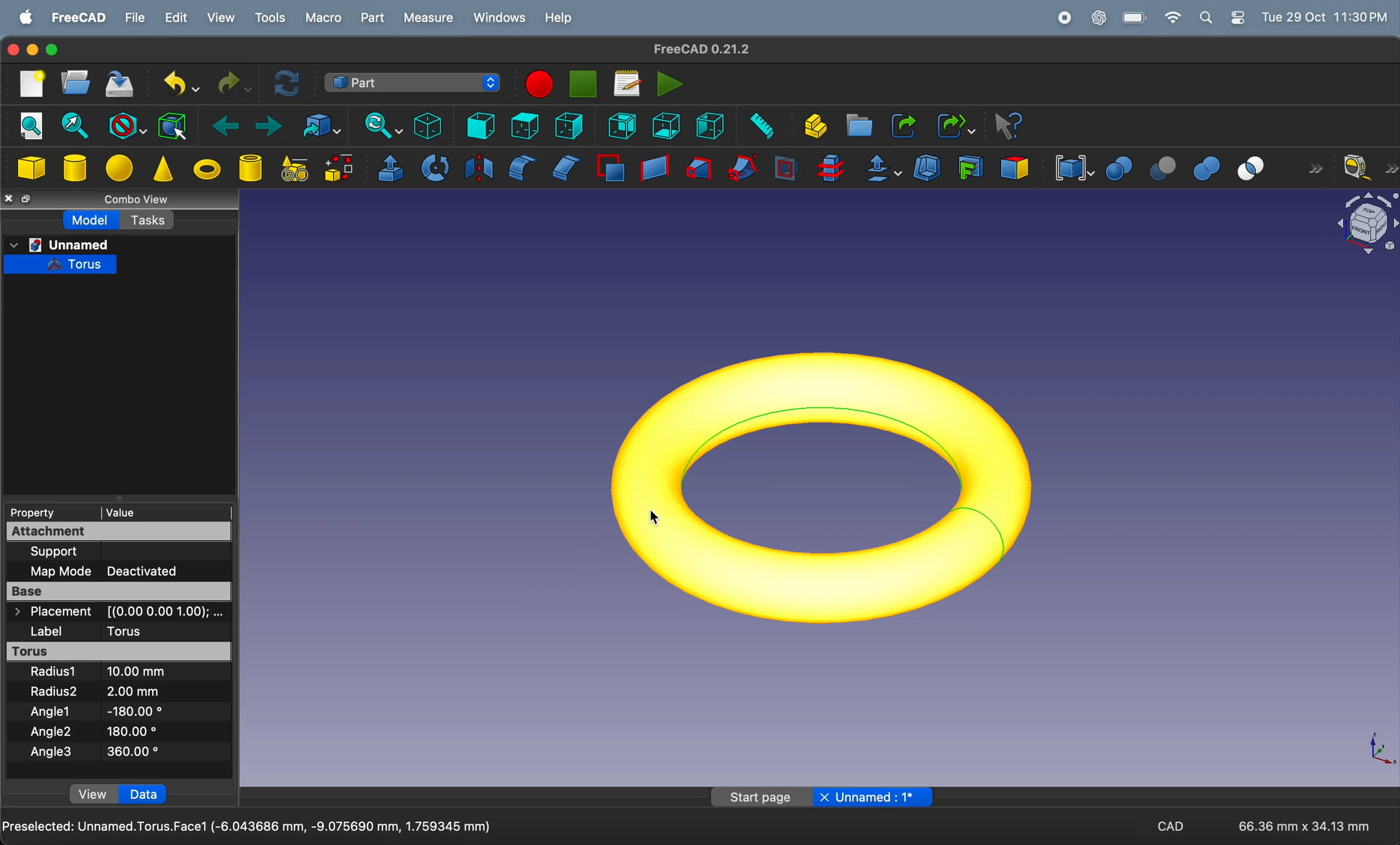  Describe the element at coordinates (710, 127) in the screenshot. I see `left view` at that location.